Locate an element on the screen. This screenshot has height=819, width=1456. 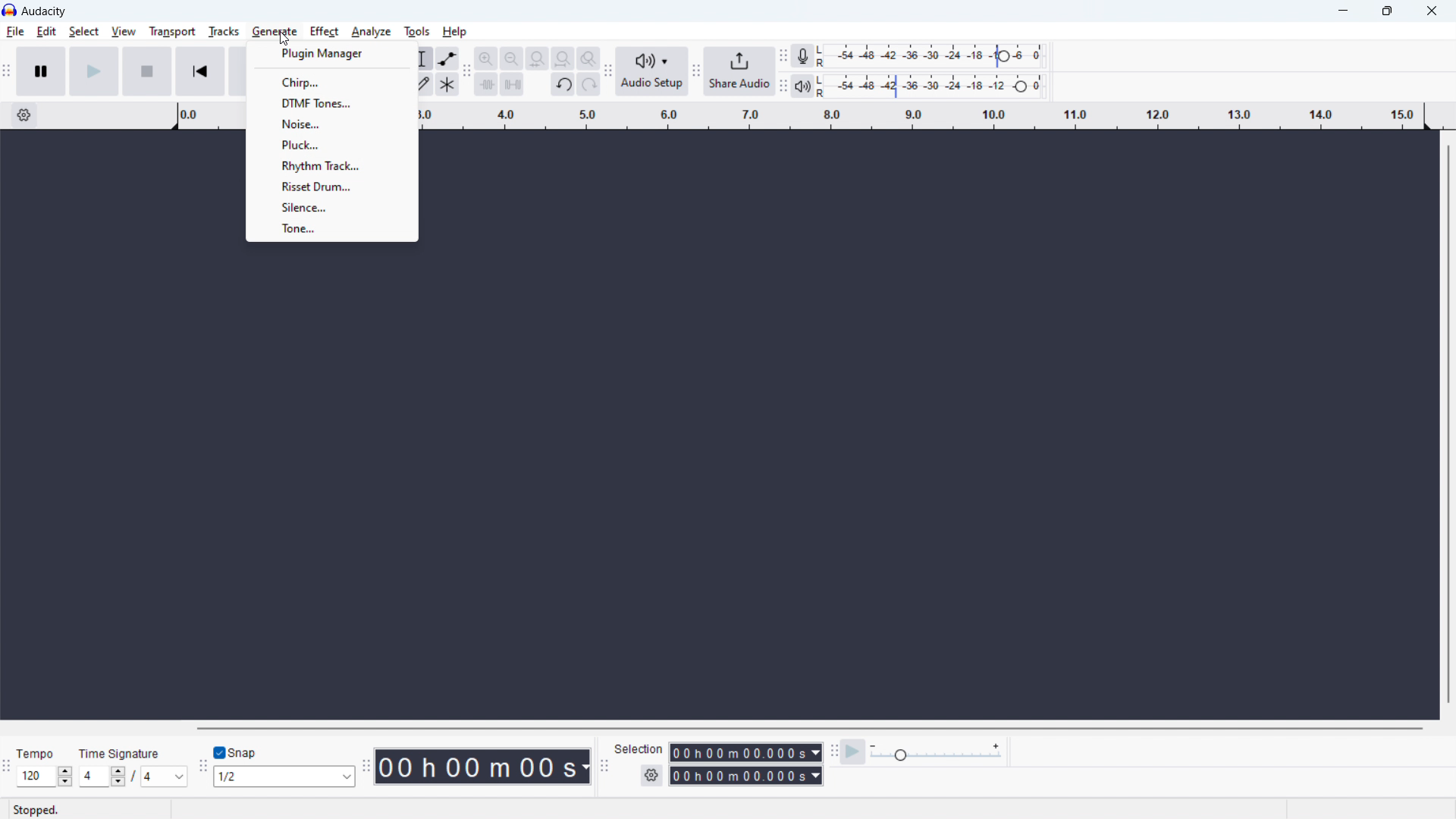
play at speed is located at coordinates (854, 752).